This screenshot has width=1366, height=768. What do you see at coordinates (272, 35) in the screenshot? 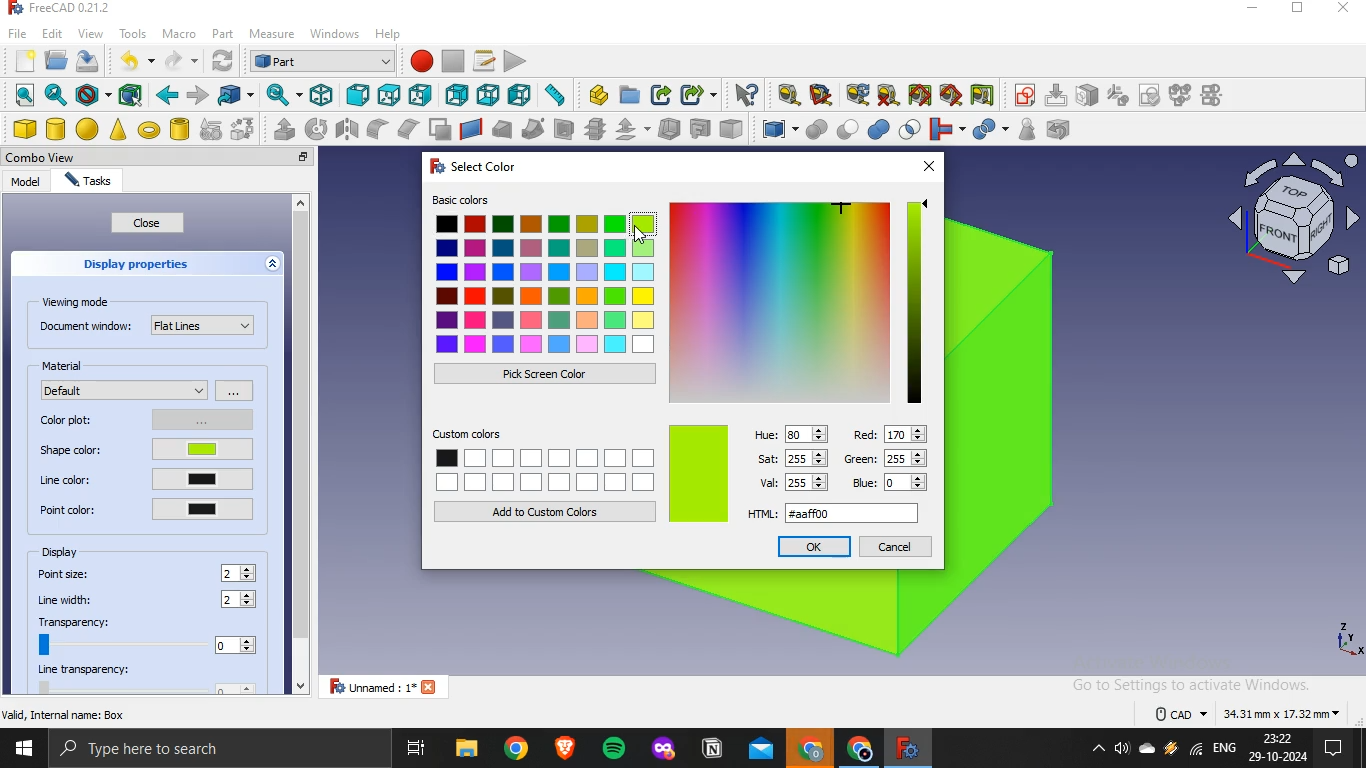
I see `measure` at bounding box center [272, 35].